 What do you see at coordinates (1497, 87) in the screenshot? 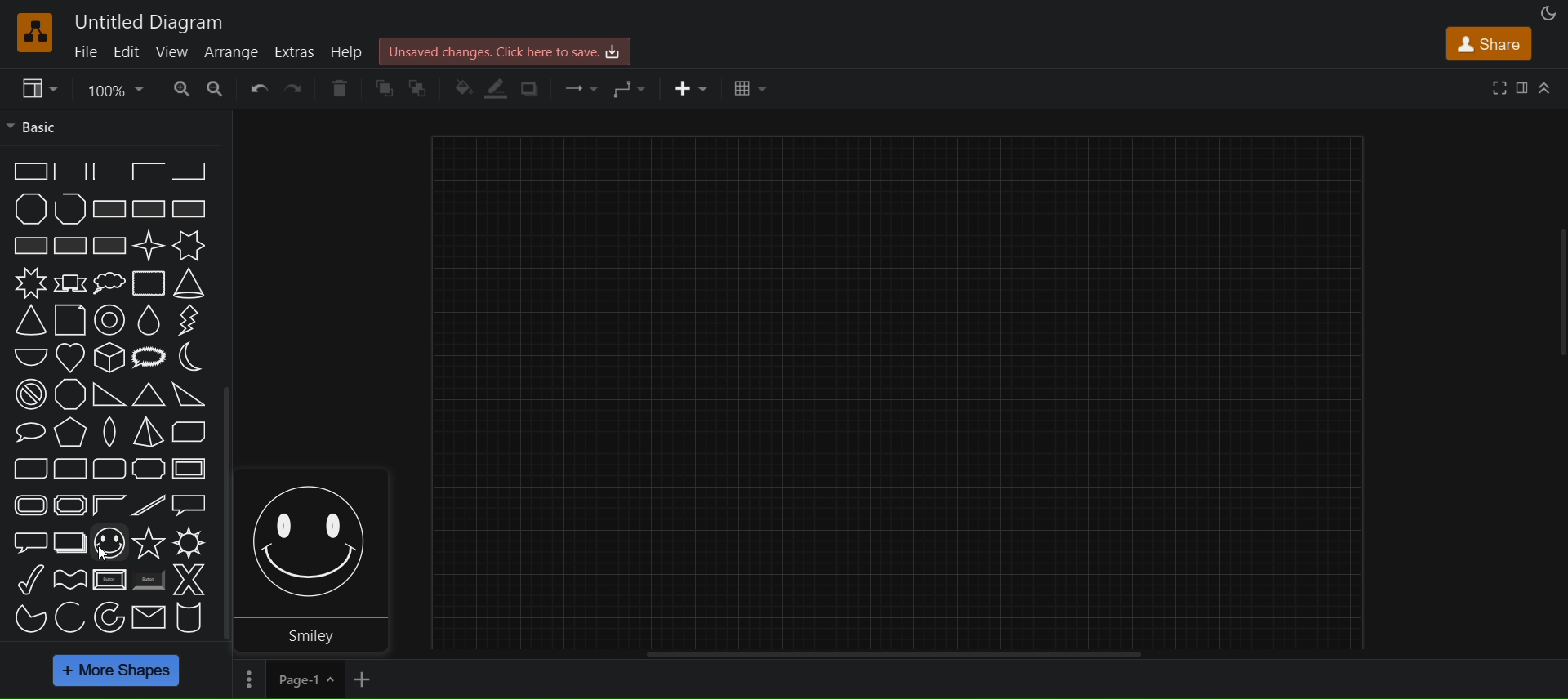
I see `fullscreen` at bounding box center [1497, 87].